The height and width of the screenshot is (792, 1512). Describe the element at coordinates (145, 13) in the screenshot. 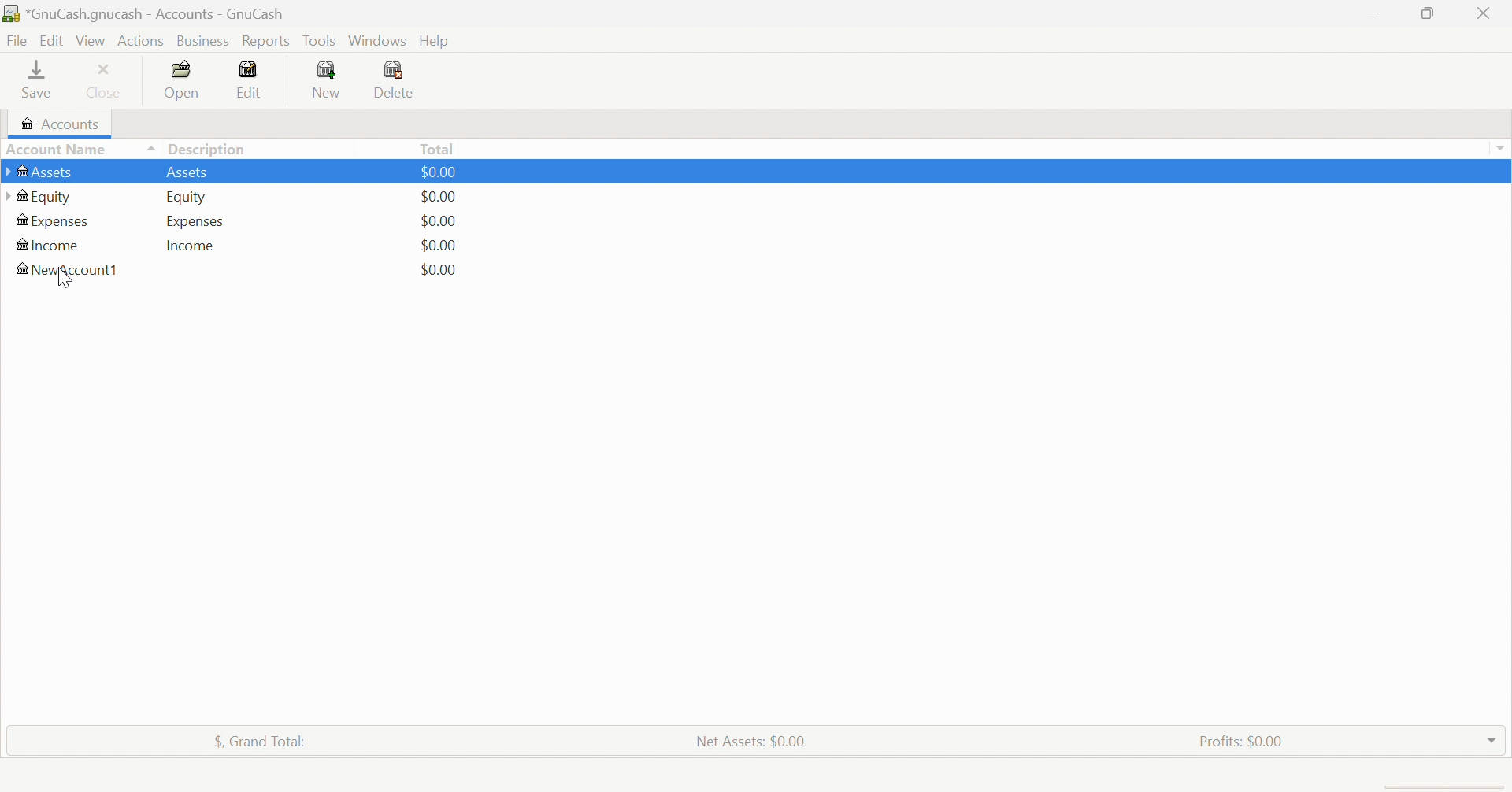

I see `*GnuCash.gnucash - Accounts - GnuCash` at that location.